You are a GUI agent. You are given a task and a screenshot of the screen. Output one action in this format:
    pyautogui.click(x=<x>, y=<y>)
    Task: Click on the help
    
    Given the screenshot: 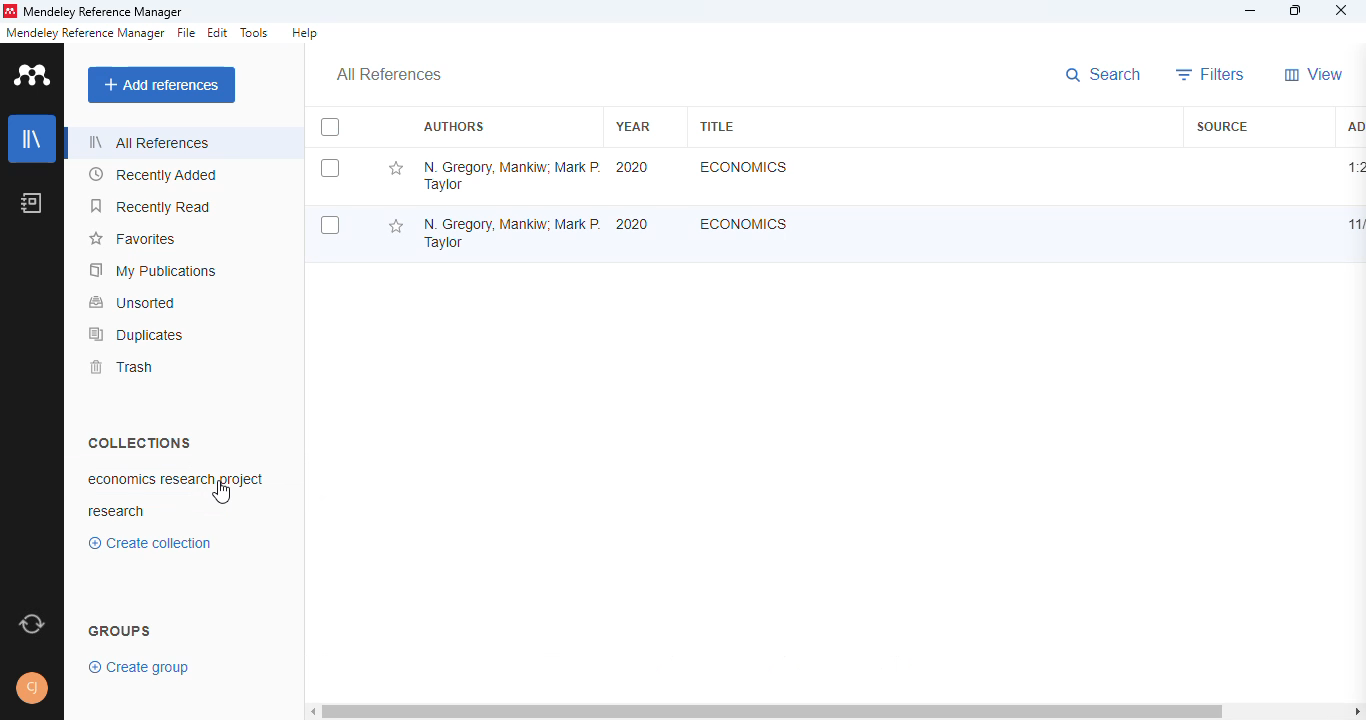 What is the action you would take?
    pyautogui.click(x=304, y=33)
    